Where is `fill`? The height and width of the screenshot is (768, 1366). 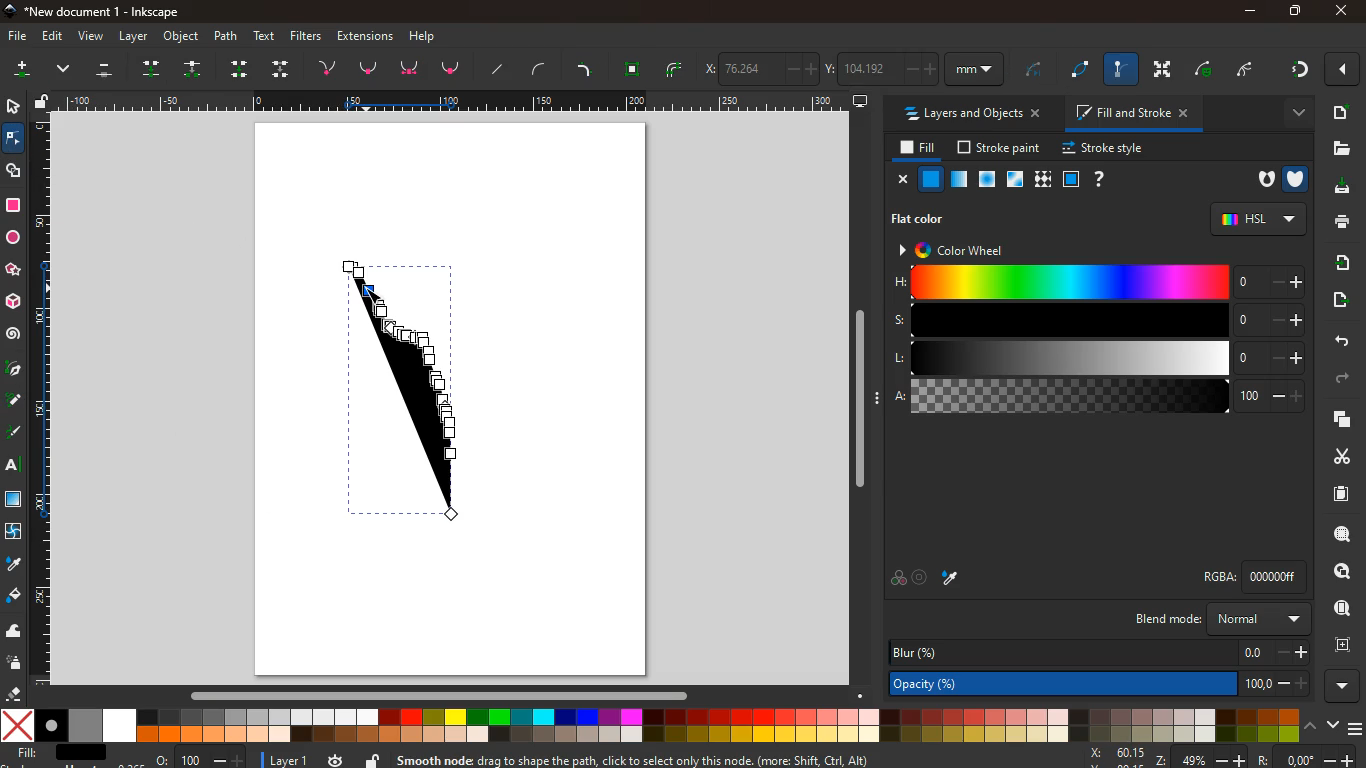 fill is located at coordinates (914, 148).